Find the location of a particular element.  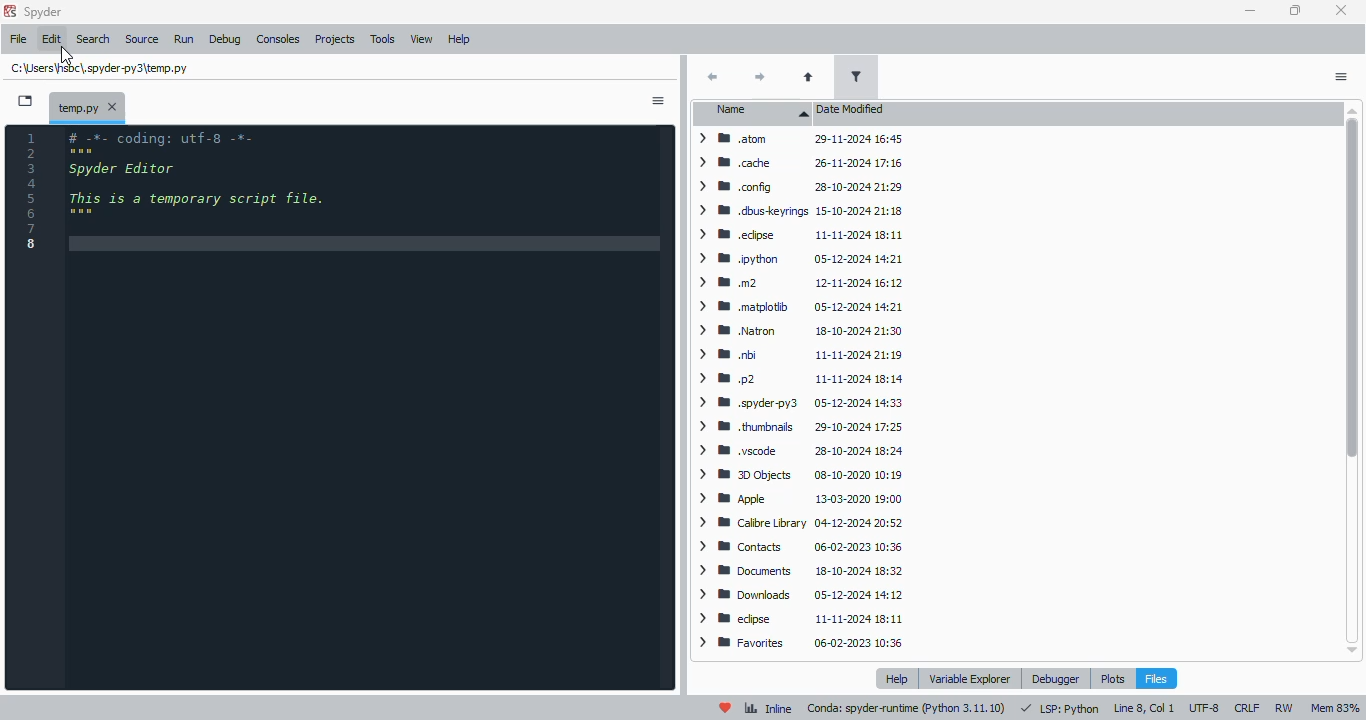

> WM edipse 11-11-2024 18:11 is located at coordinates (801, 619).